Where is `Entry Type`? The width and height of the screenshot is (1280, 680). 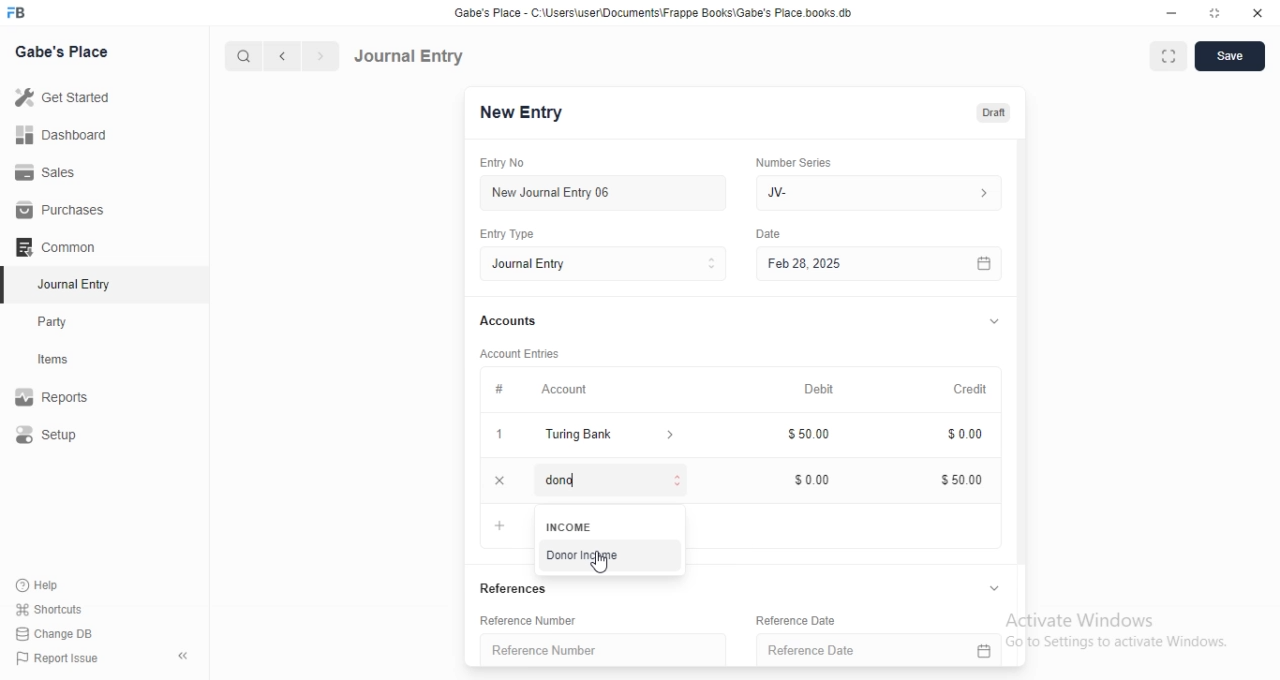 Entry Type is located at coordinates (514, 233).